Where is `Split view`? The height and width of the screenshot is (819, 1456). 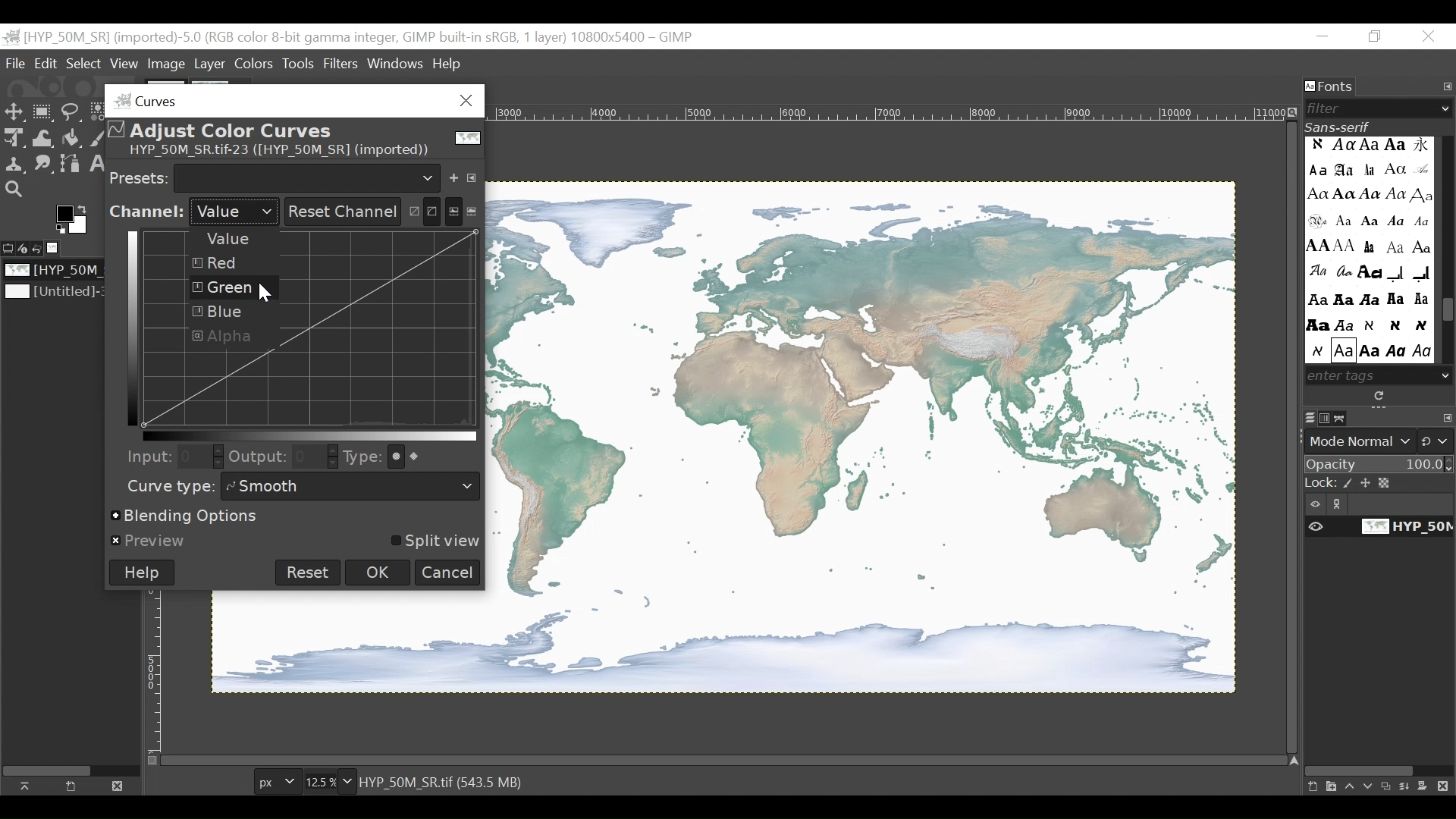
Split view is located at coordinates (433, 541).